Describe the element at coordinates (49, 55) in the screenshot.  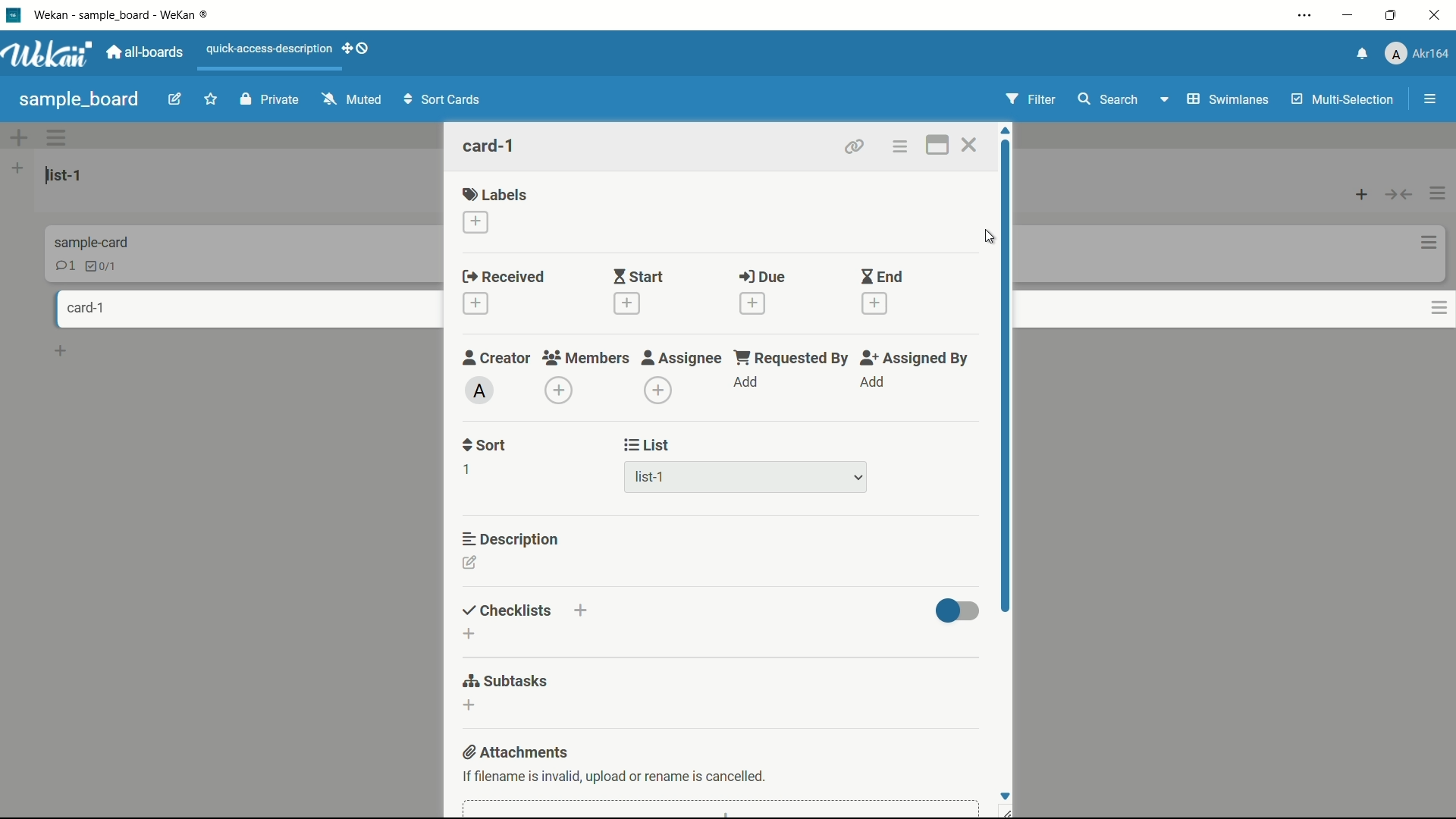
I see `Wekan logo` at that location.